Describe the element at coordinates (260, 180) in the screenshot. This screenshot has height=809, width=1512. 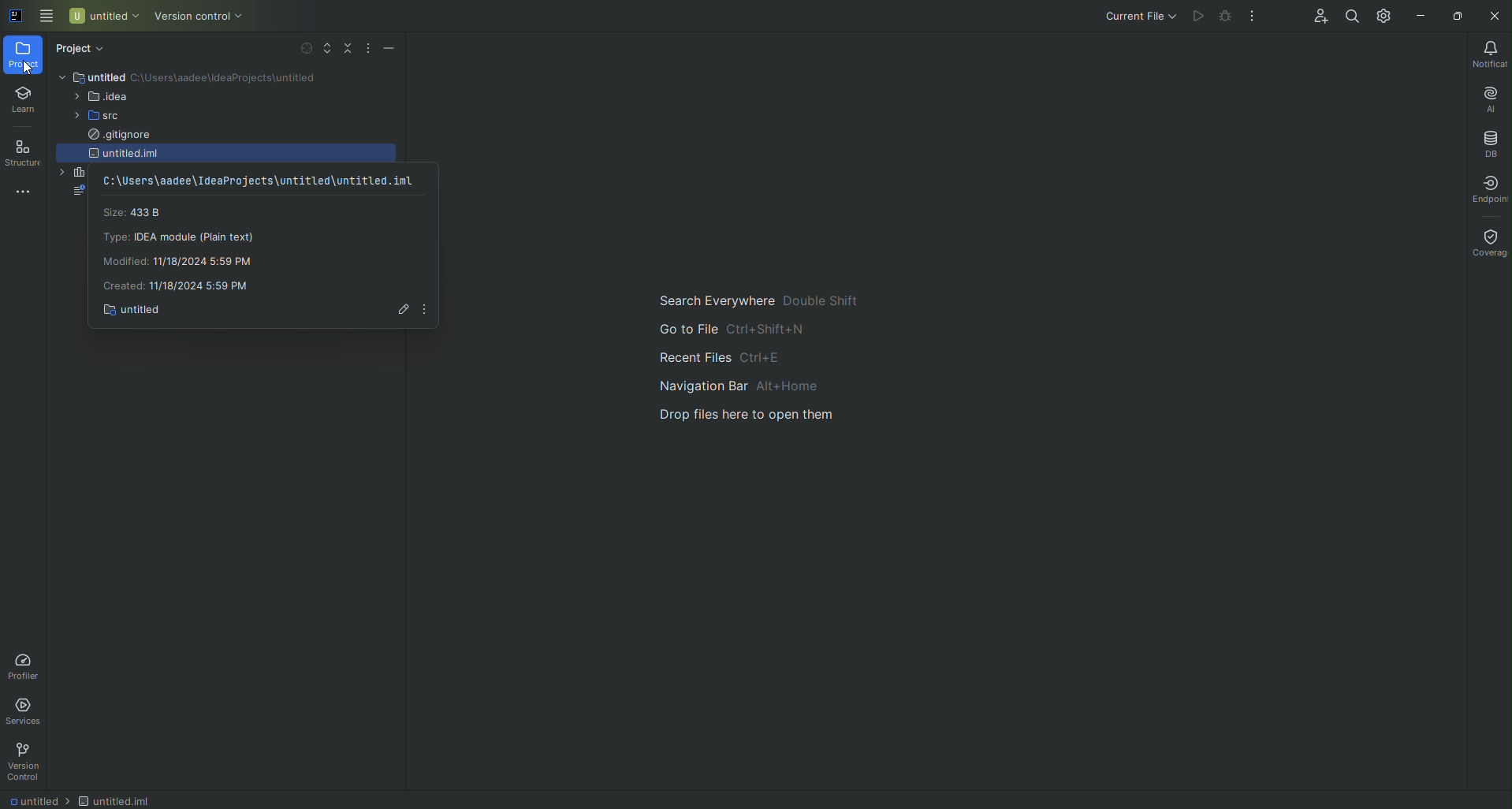
I see `File Path` at that location.